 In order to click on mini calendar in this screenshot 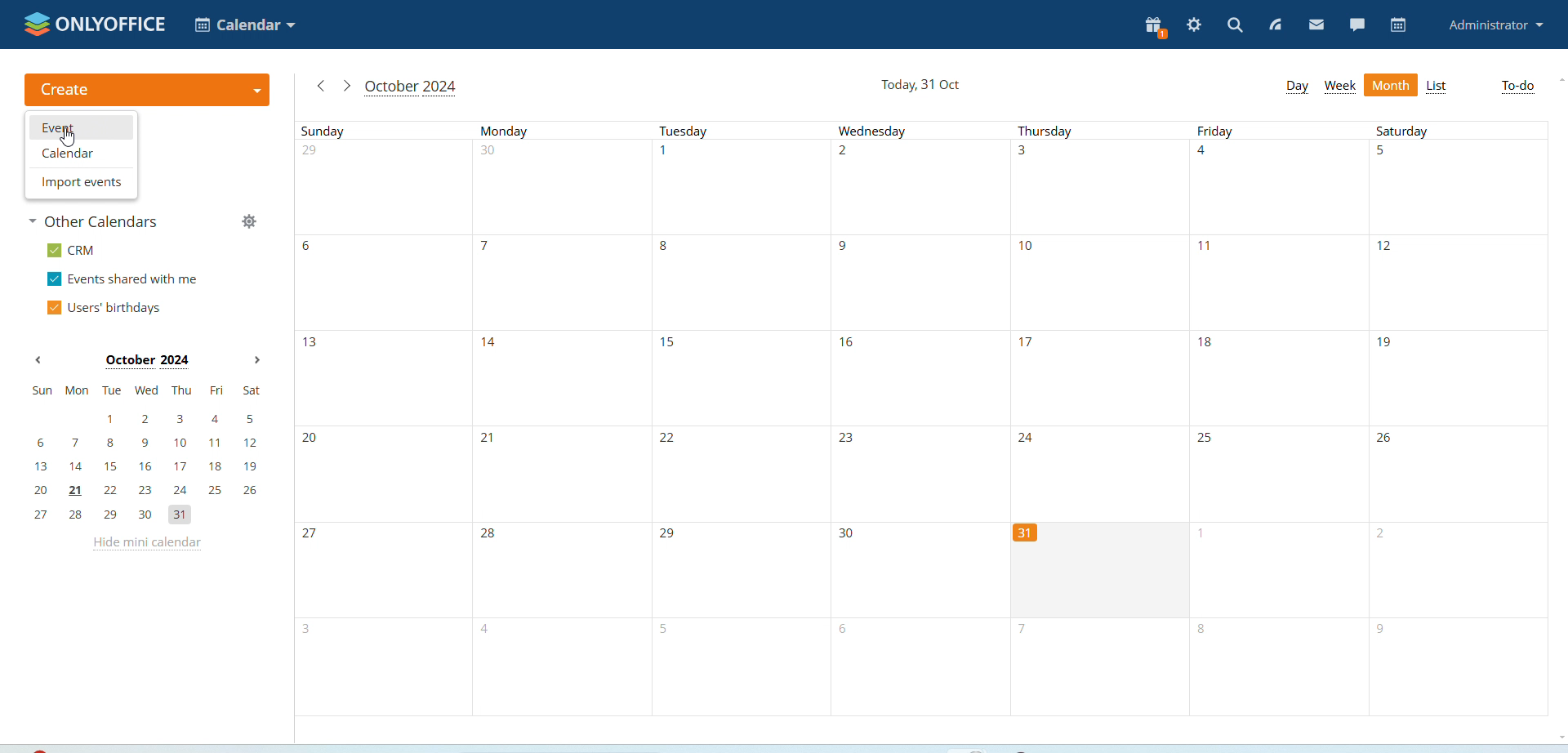, I will do `click(149, 455)`.